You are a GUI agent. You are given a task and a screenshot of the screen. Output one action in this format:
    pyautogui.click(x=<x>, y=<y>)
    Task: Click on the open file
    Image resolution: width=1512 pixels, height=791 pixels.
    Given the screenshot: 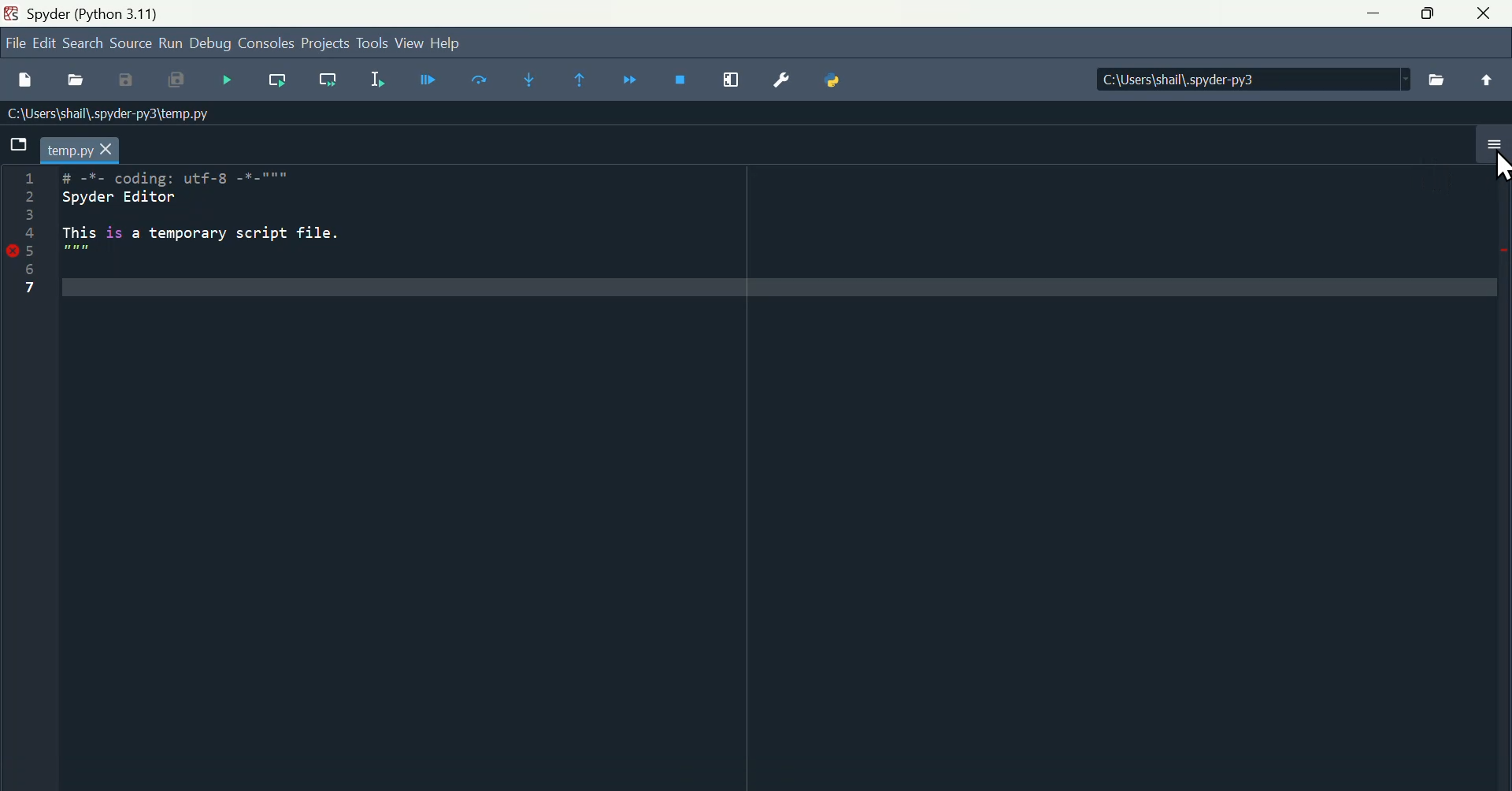 What is the action you would take?
    pyautogui.click(x=80, y=82)
    